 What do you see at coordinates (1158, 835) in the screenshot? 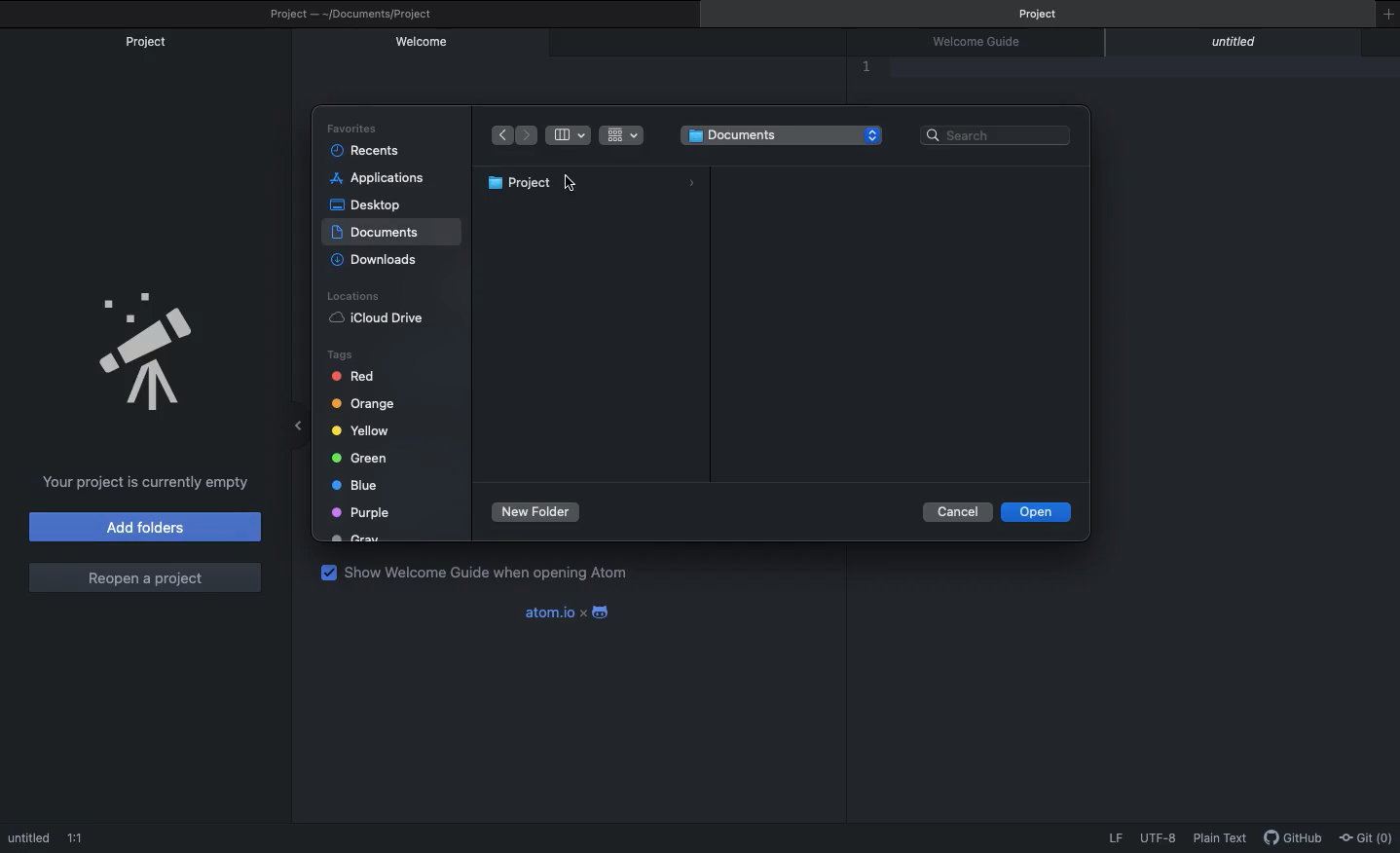
I see `UTF-8` at bounding box center [1158, 835].